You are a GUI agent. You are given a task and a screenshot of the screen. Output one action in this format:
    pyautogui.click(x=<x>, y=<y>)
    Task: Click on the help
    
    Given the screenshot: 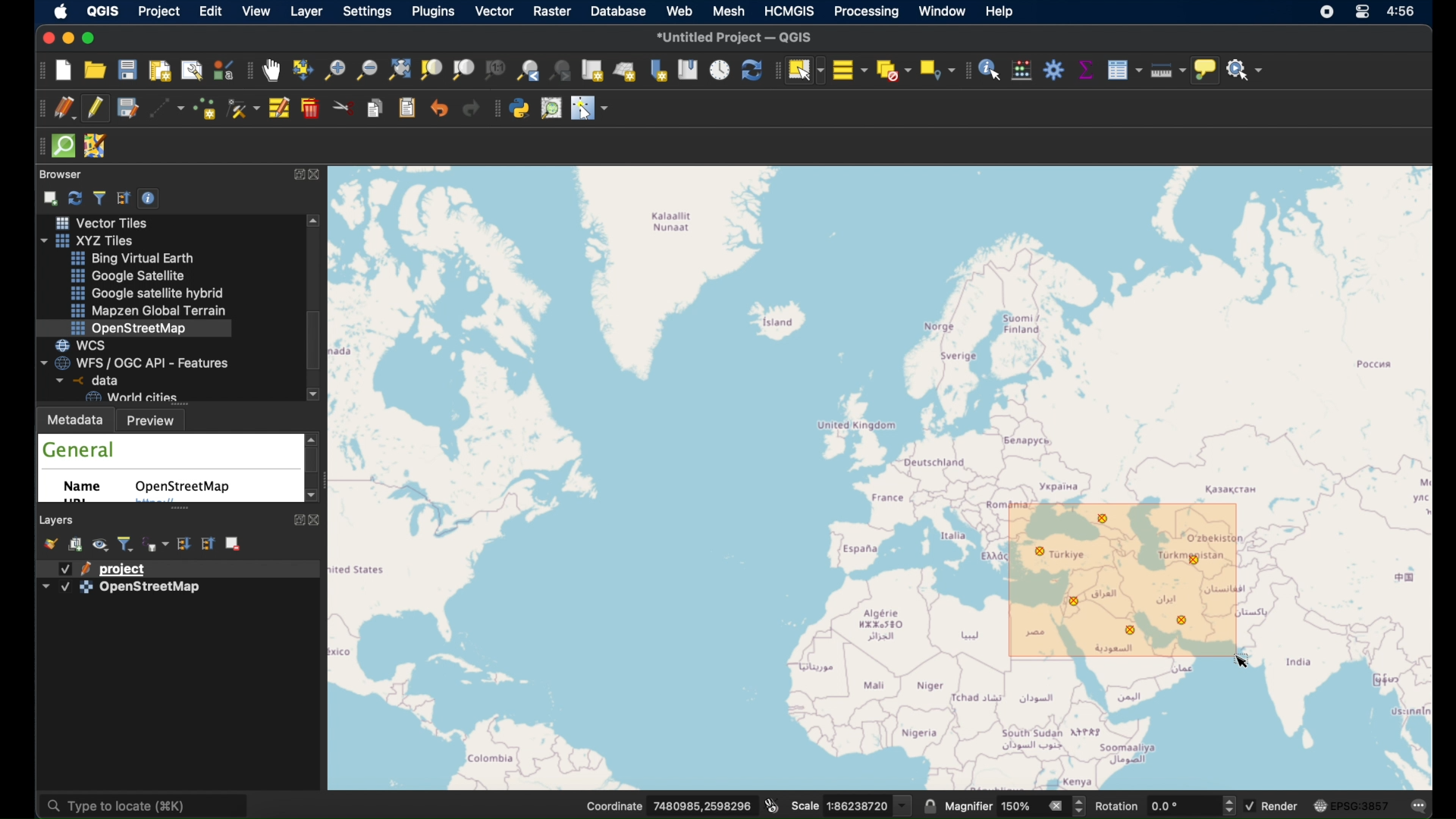 What is the action you would take?
    pyautogui.click(x=999, y=11)
    